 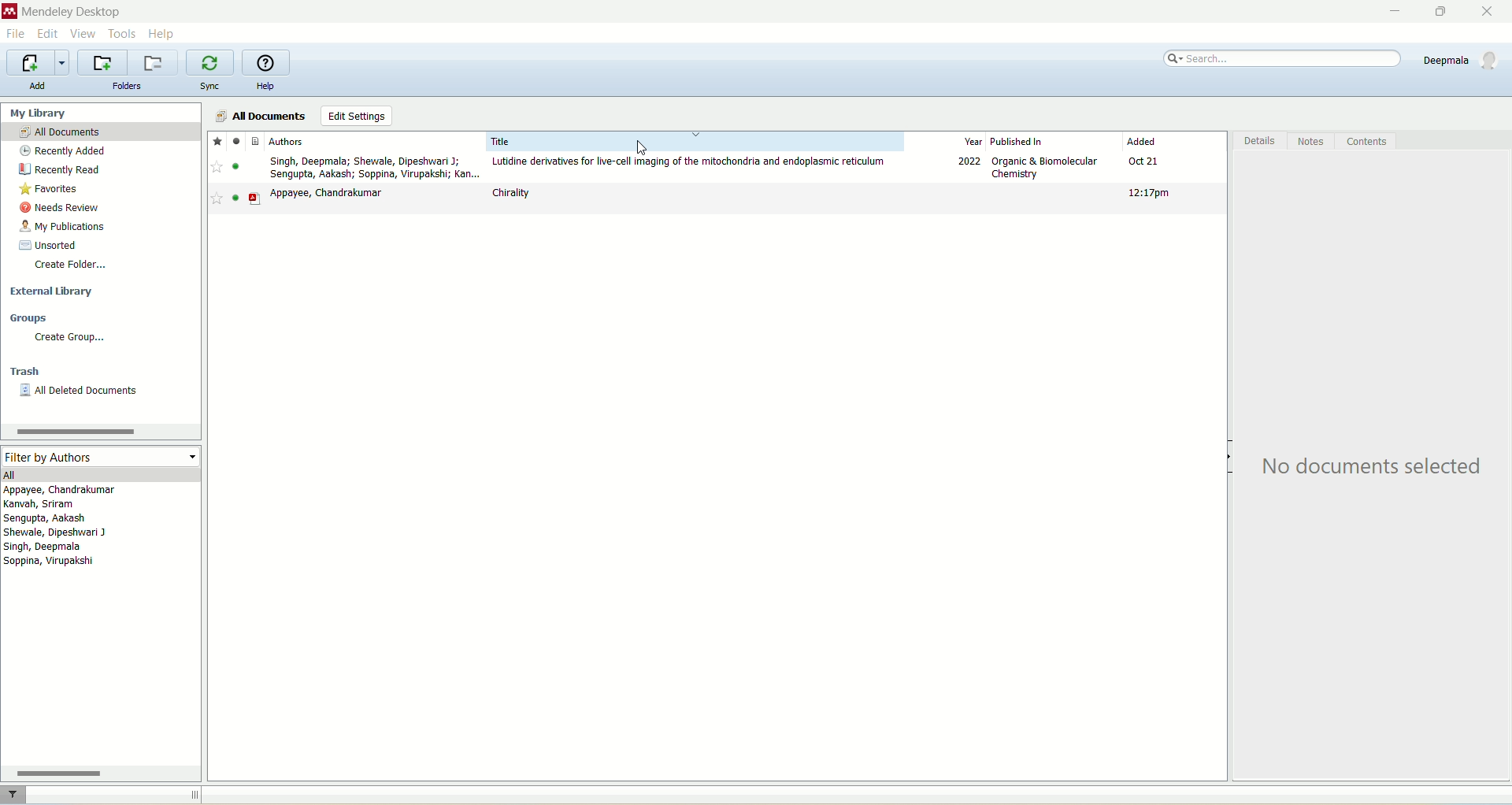 I want to click on all deleted documents, so click(x=83, y=394).